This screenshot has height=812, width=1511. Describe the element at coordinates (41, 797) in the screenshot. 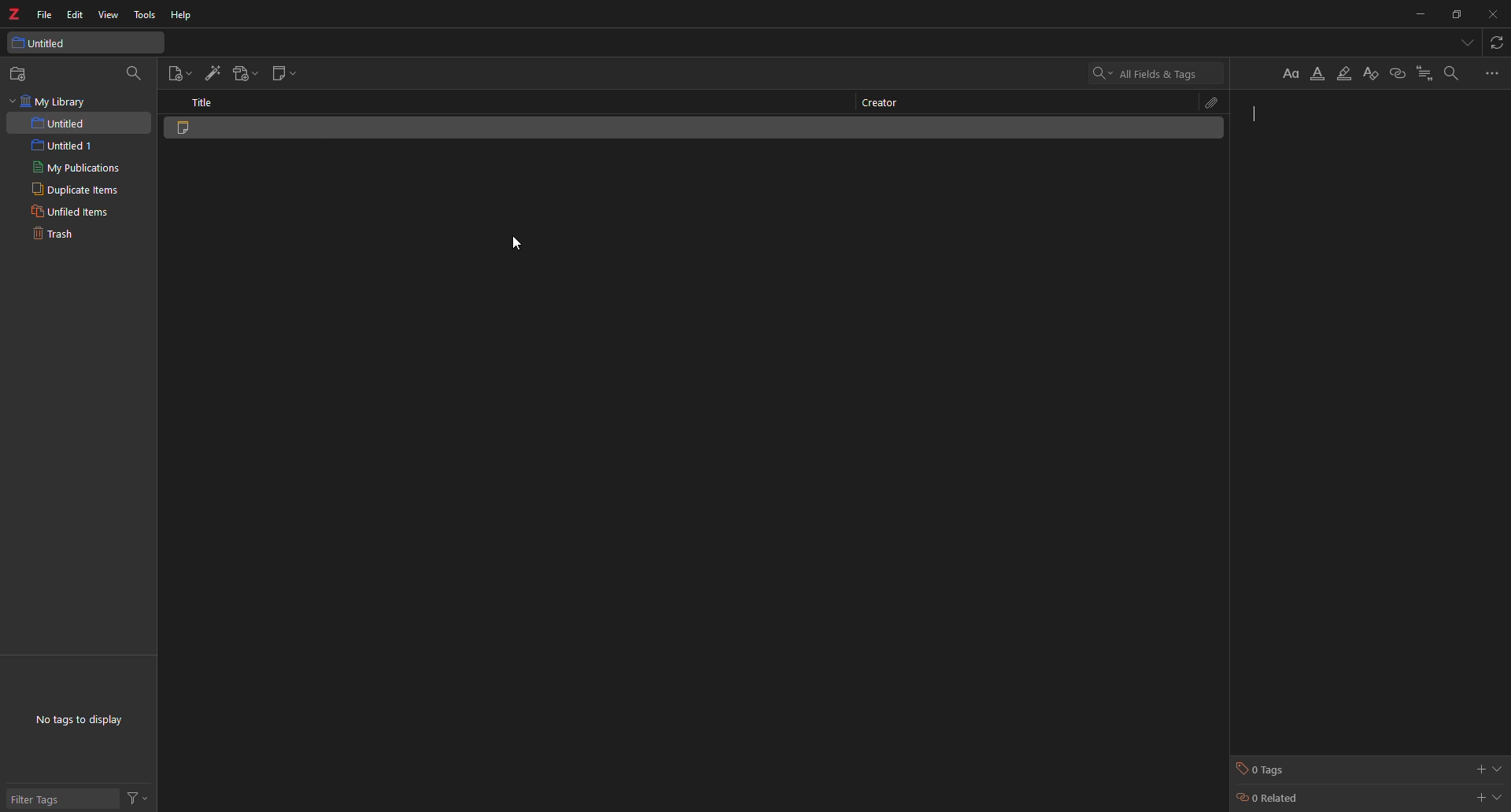

I see `filter tags` at that location.